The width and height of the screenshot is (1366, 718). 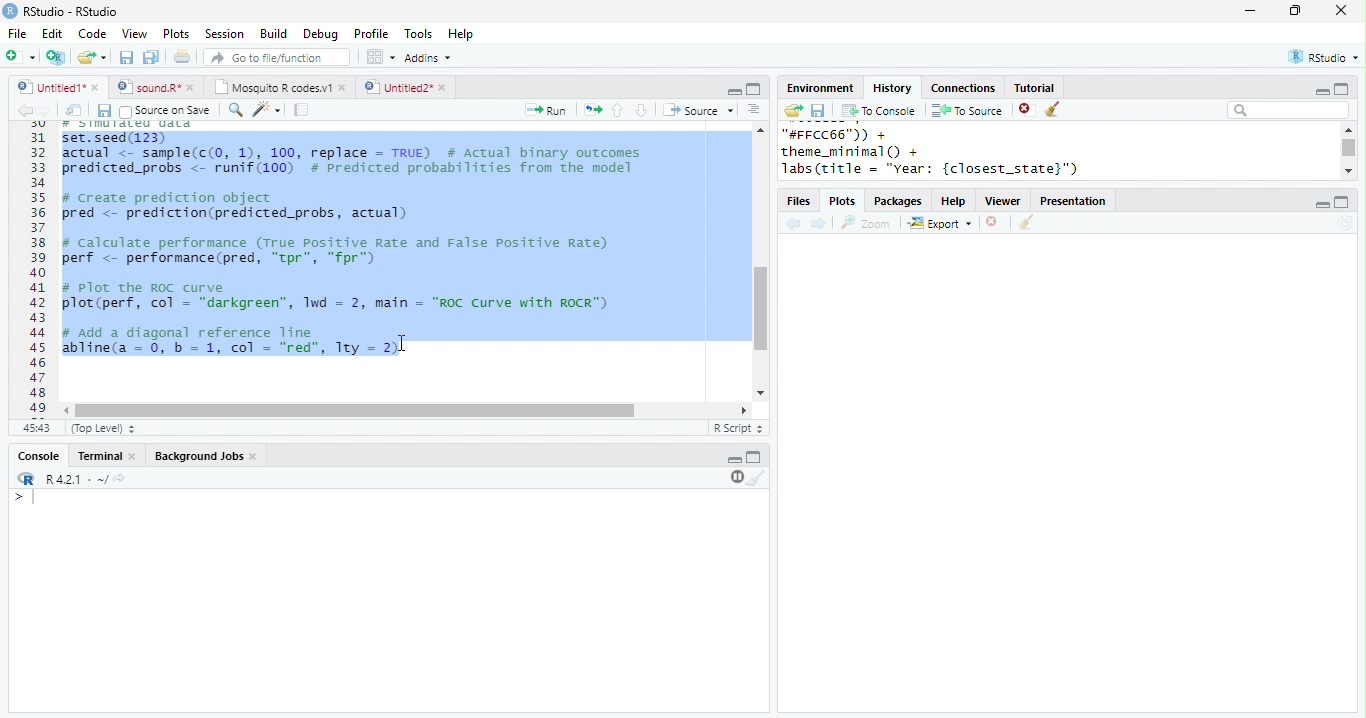 What do you see at coordinates (344, 87) in the screenshot?
I see `close` at bounding box center [344, 87].